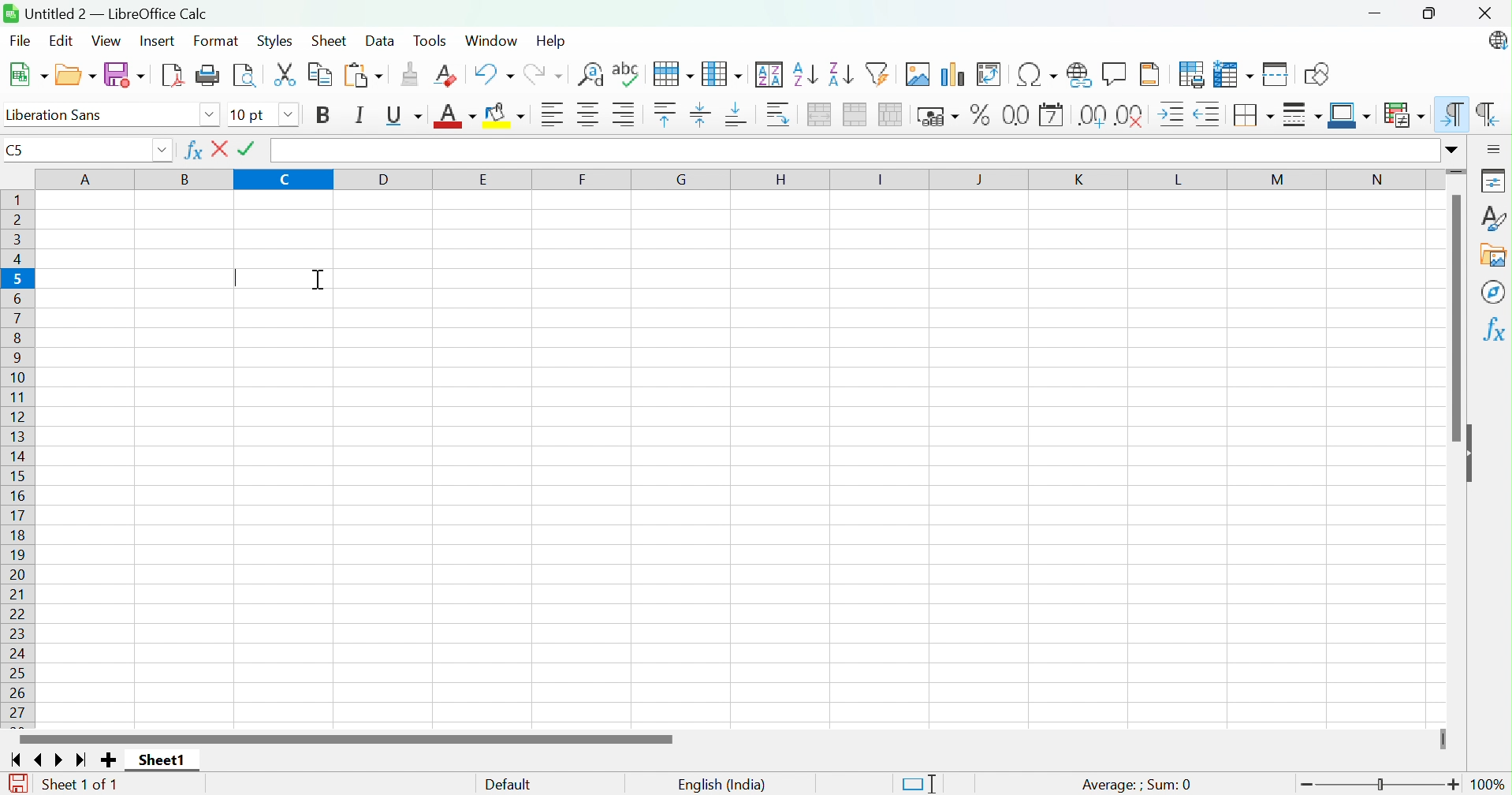  Describe the element at coordinates (989, 74) in the screenshot. I see `Insert or edit pivot table` at that location.